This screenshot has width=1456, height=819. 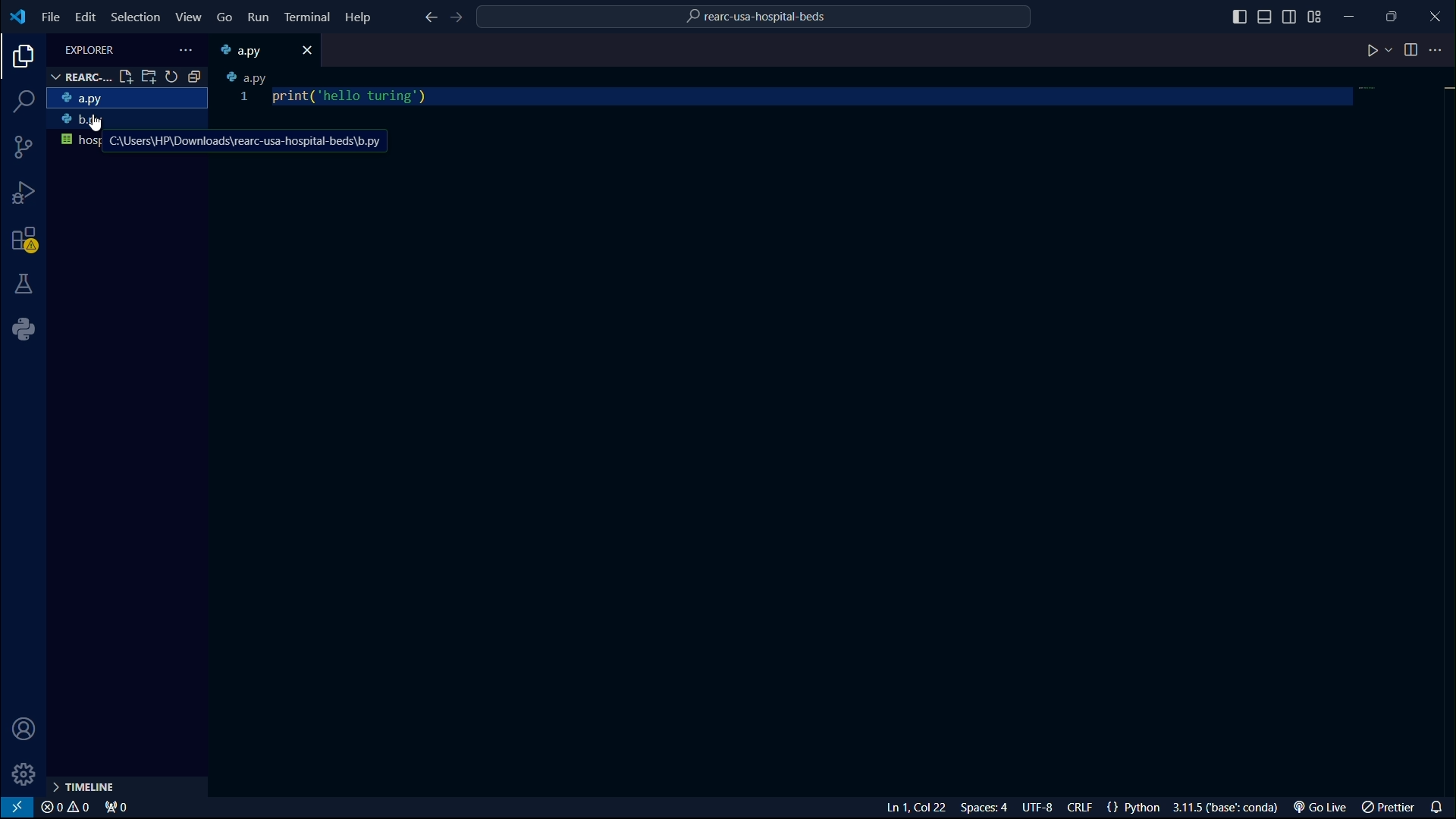 What do you see at coordinates (25, 194) in the screenshot?
I see `run and debugging` at bounding box center [25, 194].